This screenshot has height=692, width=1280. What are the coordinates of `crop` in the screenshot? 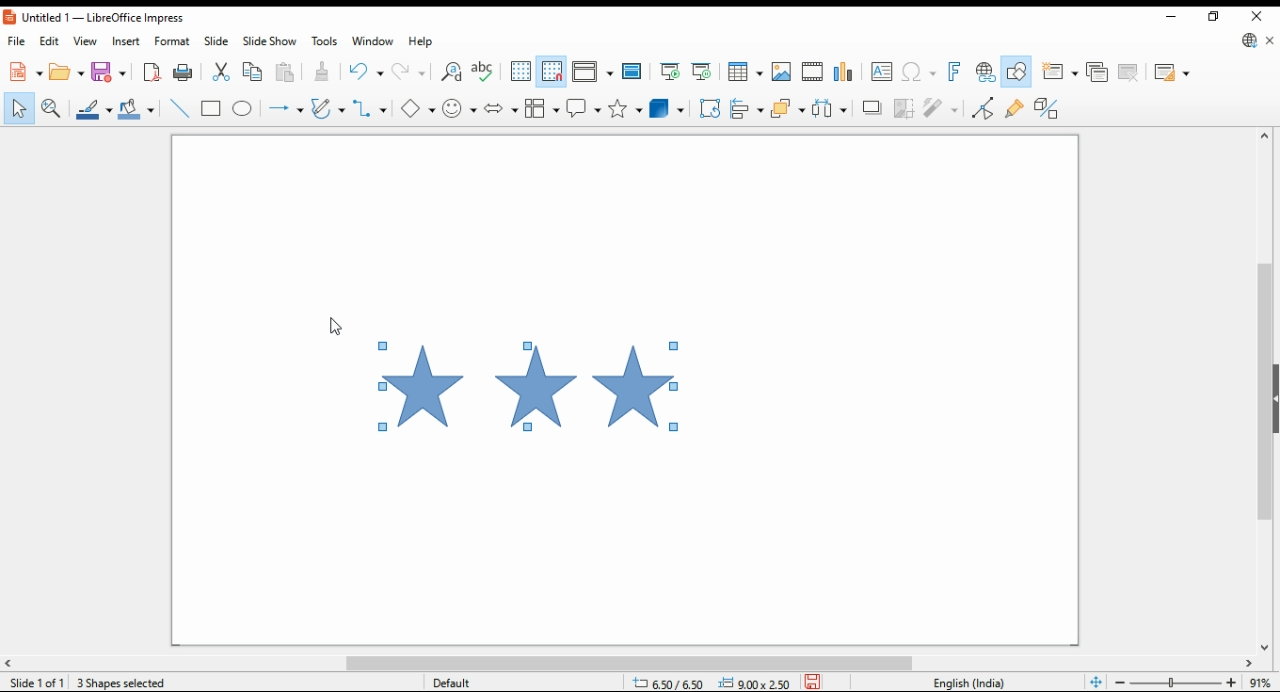 It's located at (903, 108).